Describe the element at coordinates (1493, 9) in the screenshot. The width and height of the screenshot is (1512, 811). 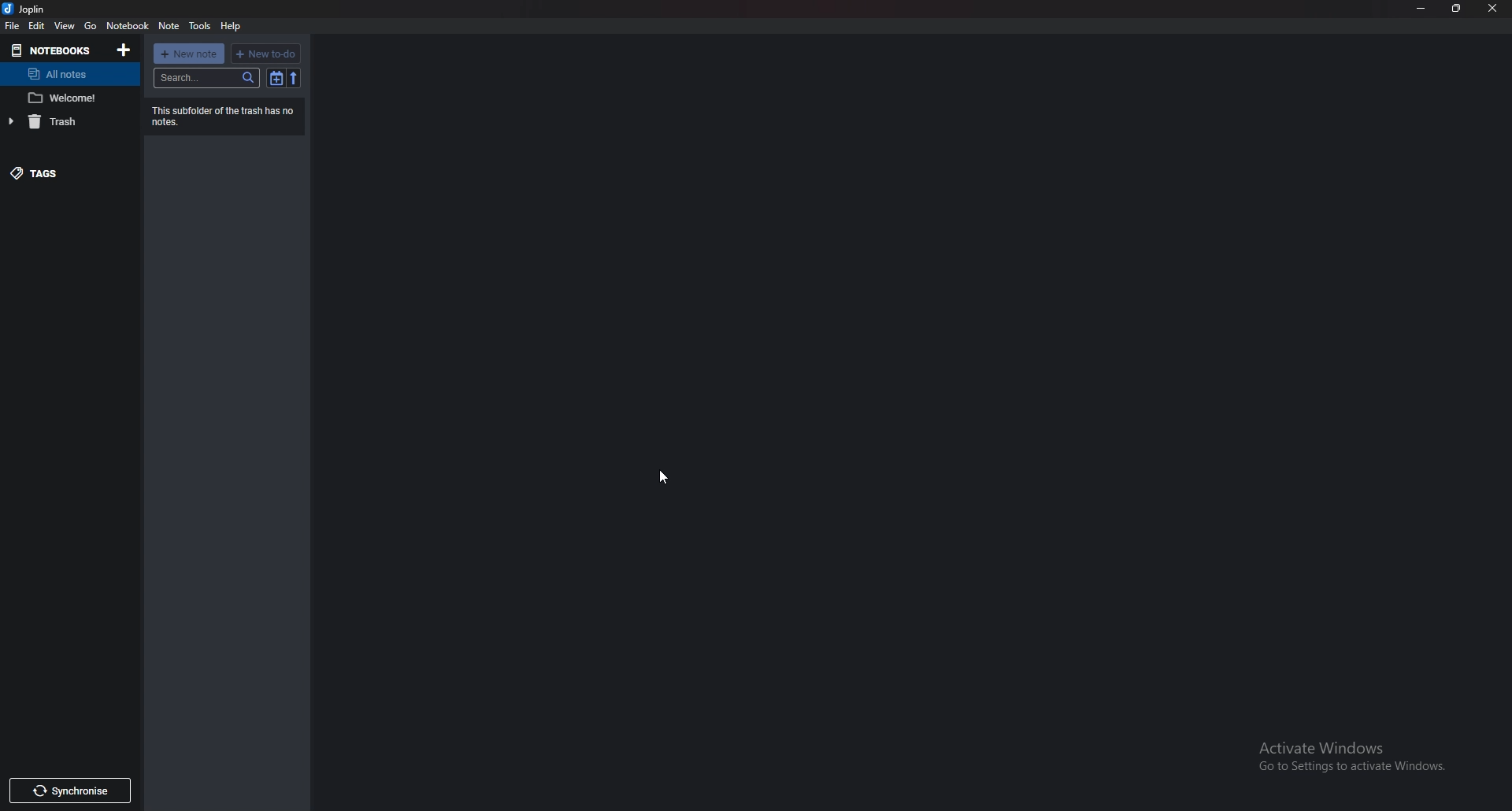
I see `close` at that location.